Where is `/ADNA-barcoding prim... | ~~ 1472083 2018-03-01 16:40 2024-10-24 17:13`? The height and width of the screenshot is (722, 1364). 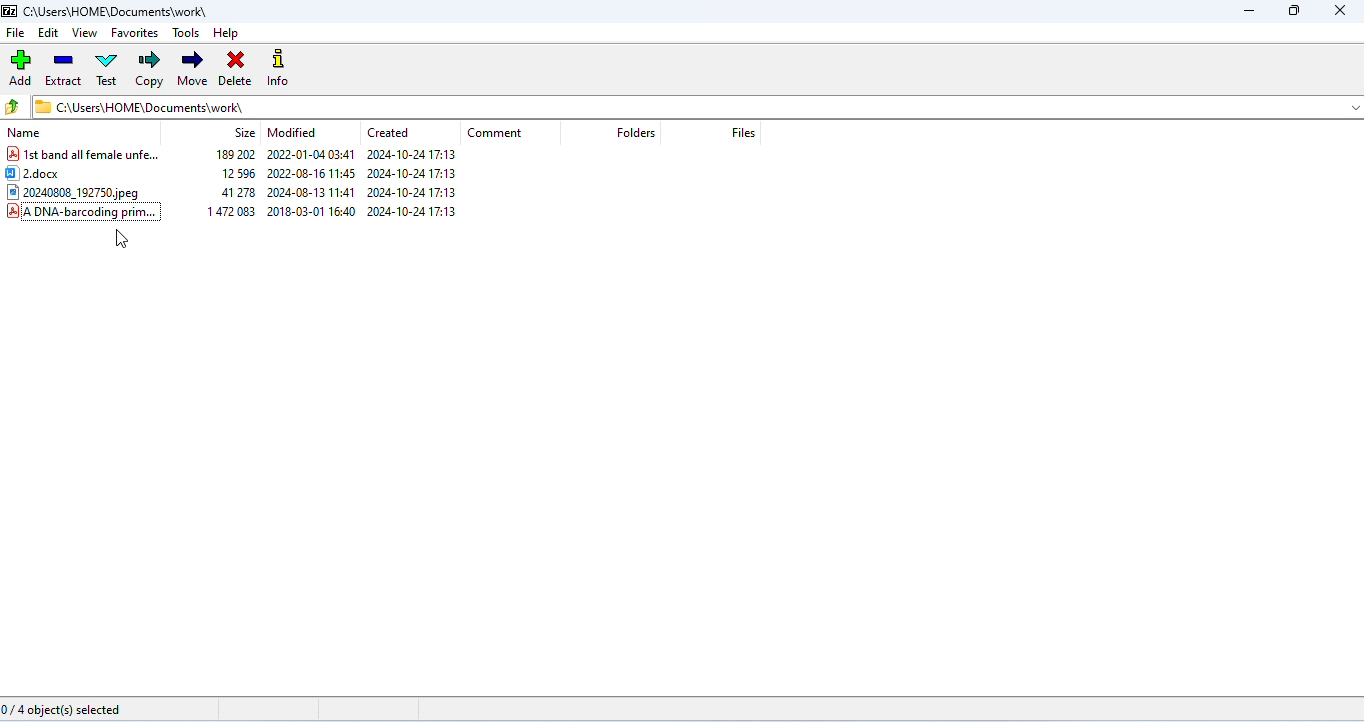 /ADNA-barcoding prim... | ~~ 1472083 2018-03-01 16:40 2024-10-24 17:13 is located at coordinates (254, 213).